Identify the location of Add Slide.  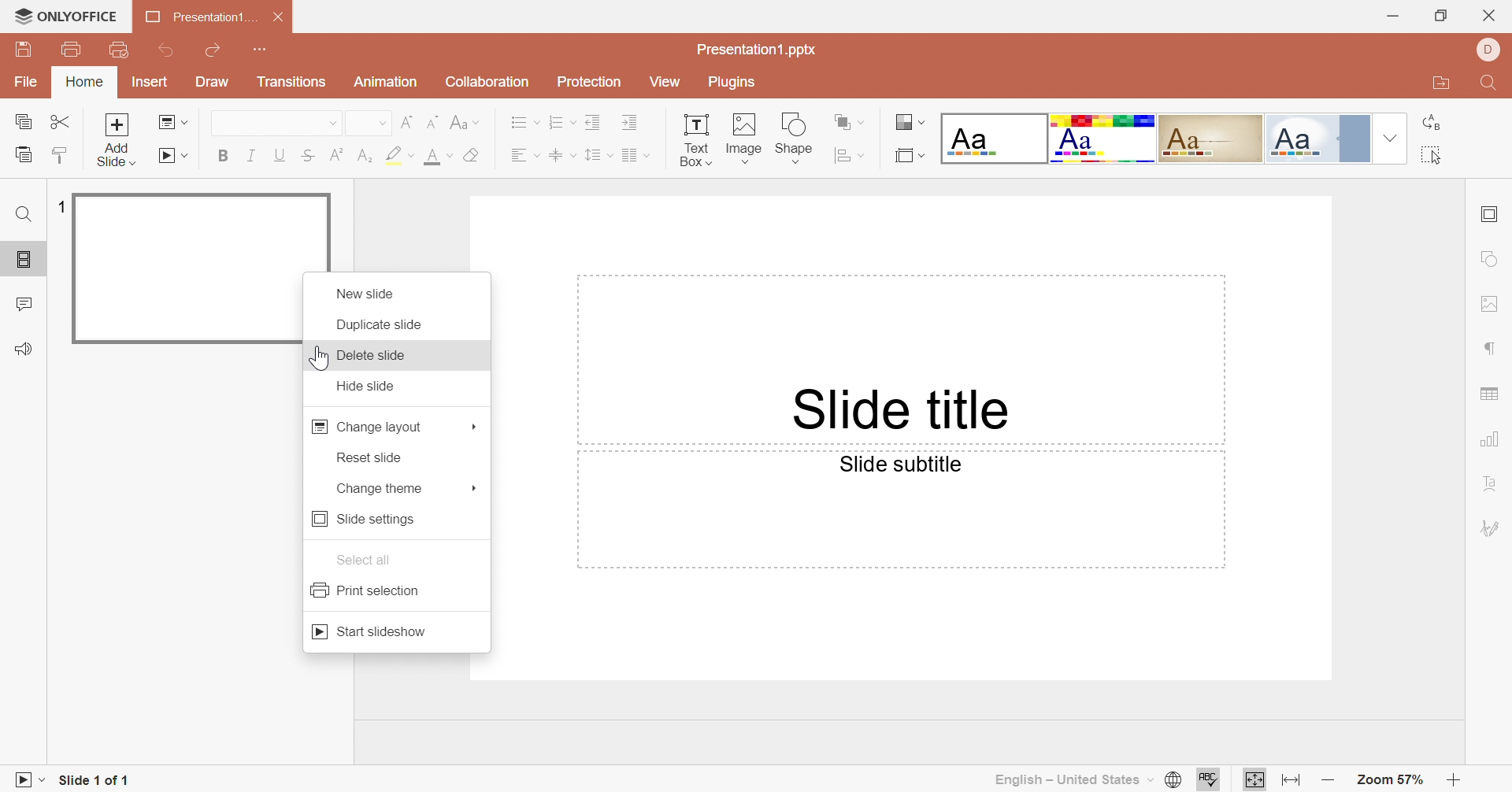
(117, 142).